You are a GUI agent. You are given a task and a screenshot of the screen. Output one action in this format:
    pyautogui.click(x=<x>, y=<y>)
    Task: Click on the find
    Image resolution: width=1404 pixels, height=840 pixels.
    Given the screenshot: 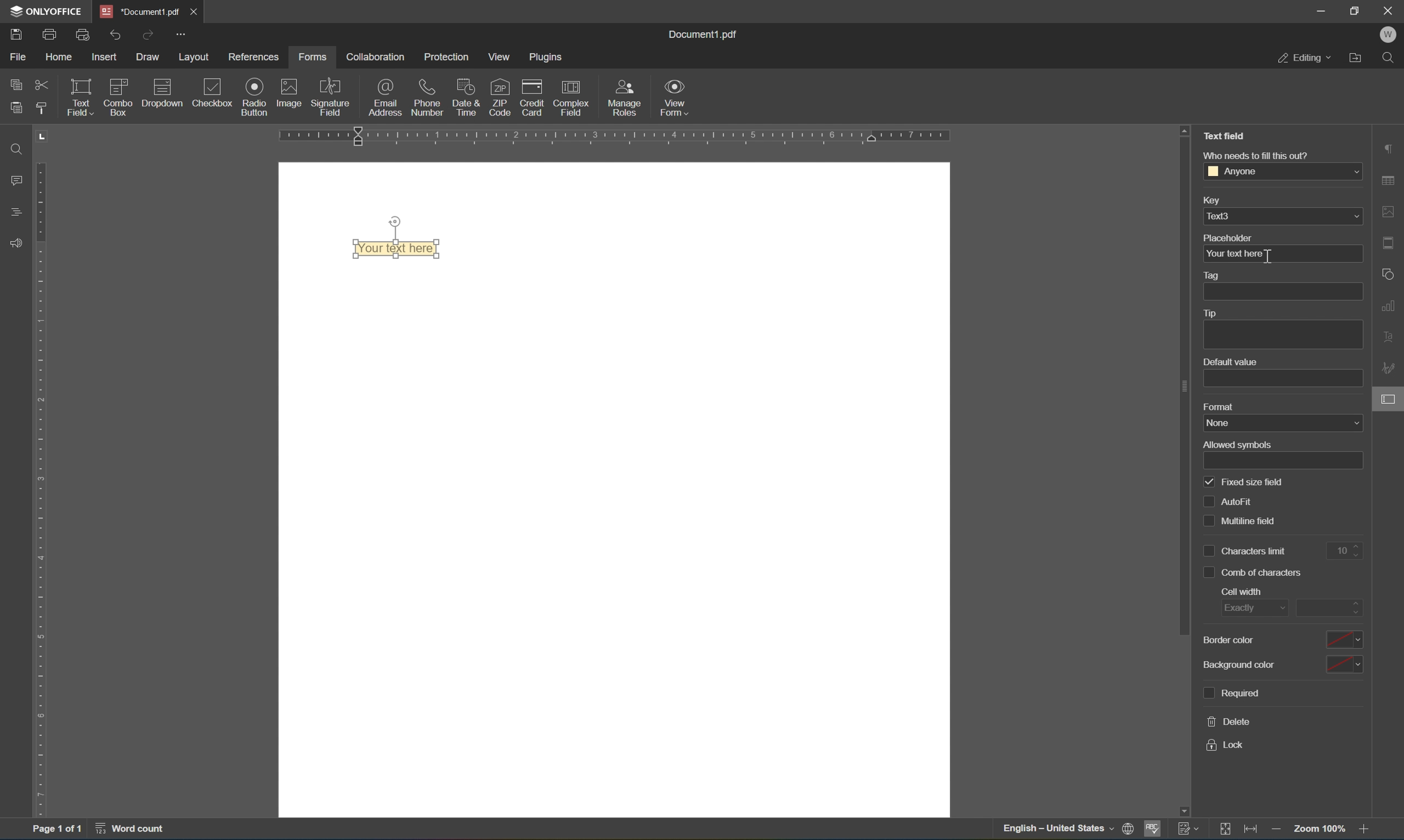 What is the action you would take?
    pyautogui.click(x=20, y=149)
    